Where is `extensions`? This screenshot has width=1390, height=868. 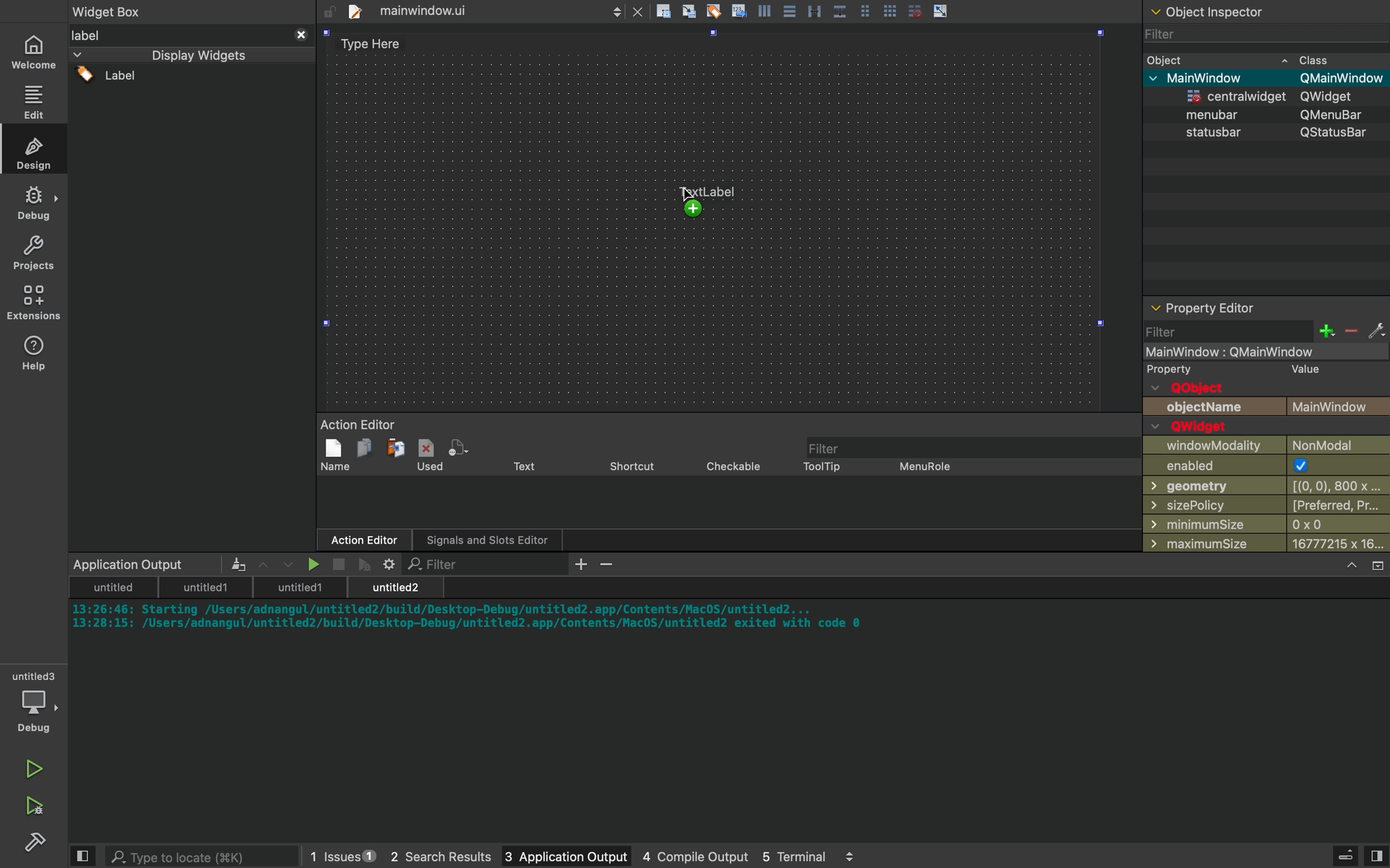 extensions is located at coordinates (36, 303).